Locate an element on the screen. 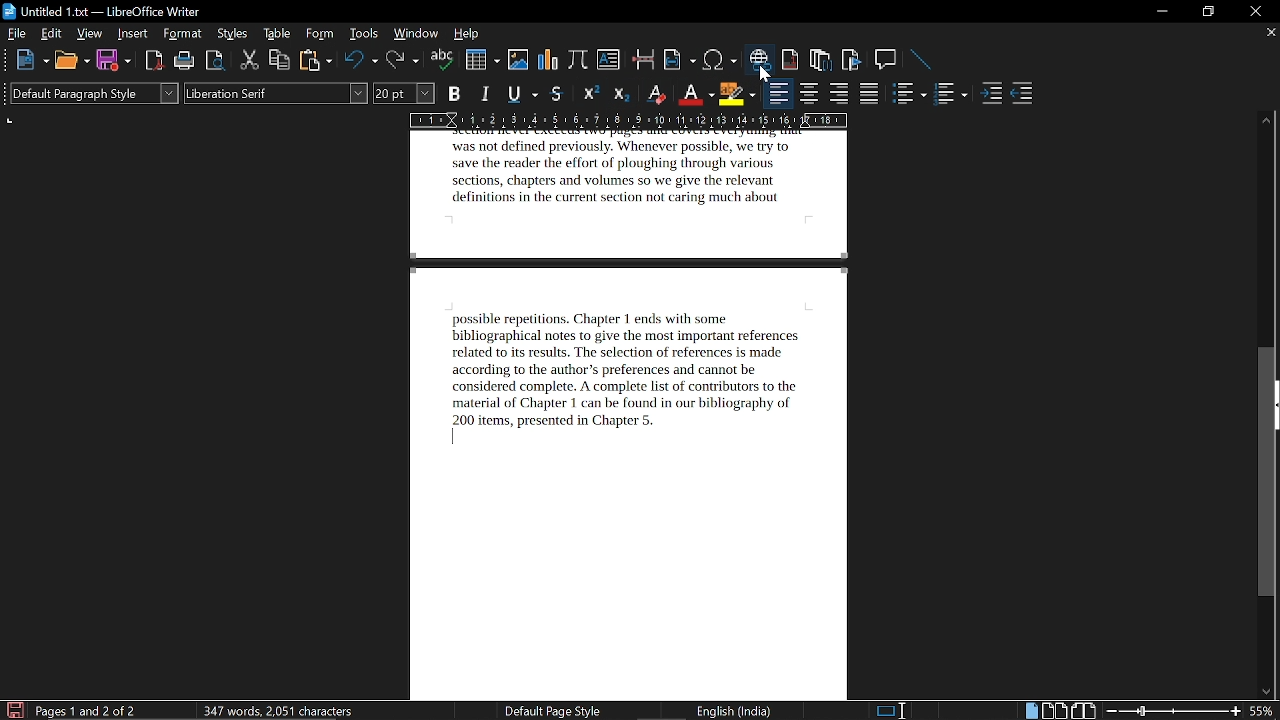  view is located at coordinates (90, 33).